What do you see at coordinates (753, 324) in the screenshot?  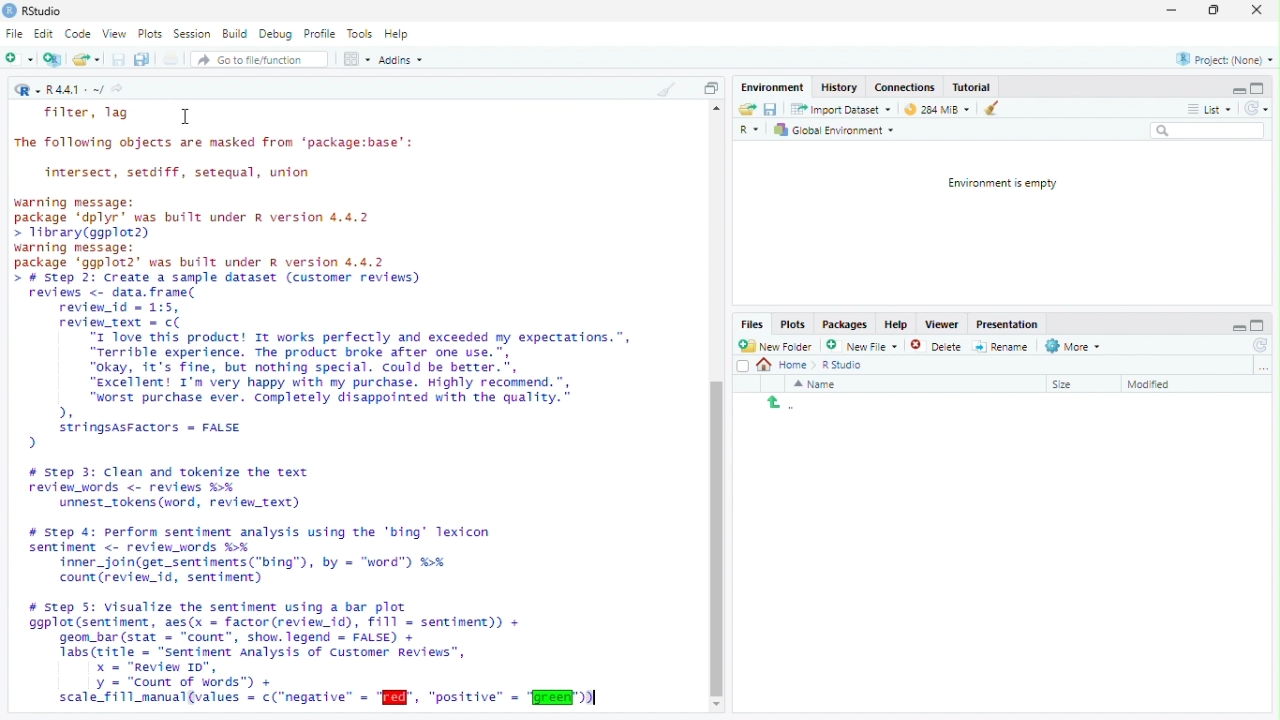 I see `Files` at bounding box center [753, 324].